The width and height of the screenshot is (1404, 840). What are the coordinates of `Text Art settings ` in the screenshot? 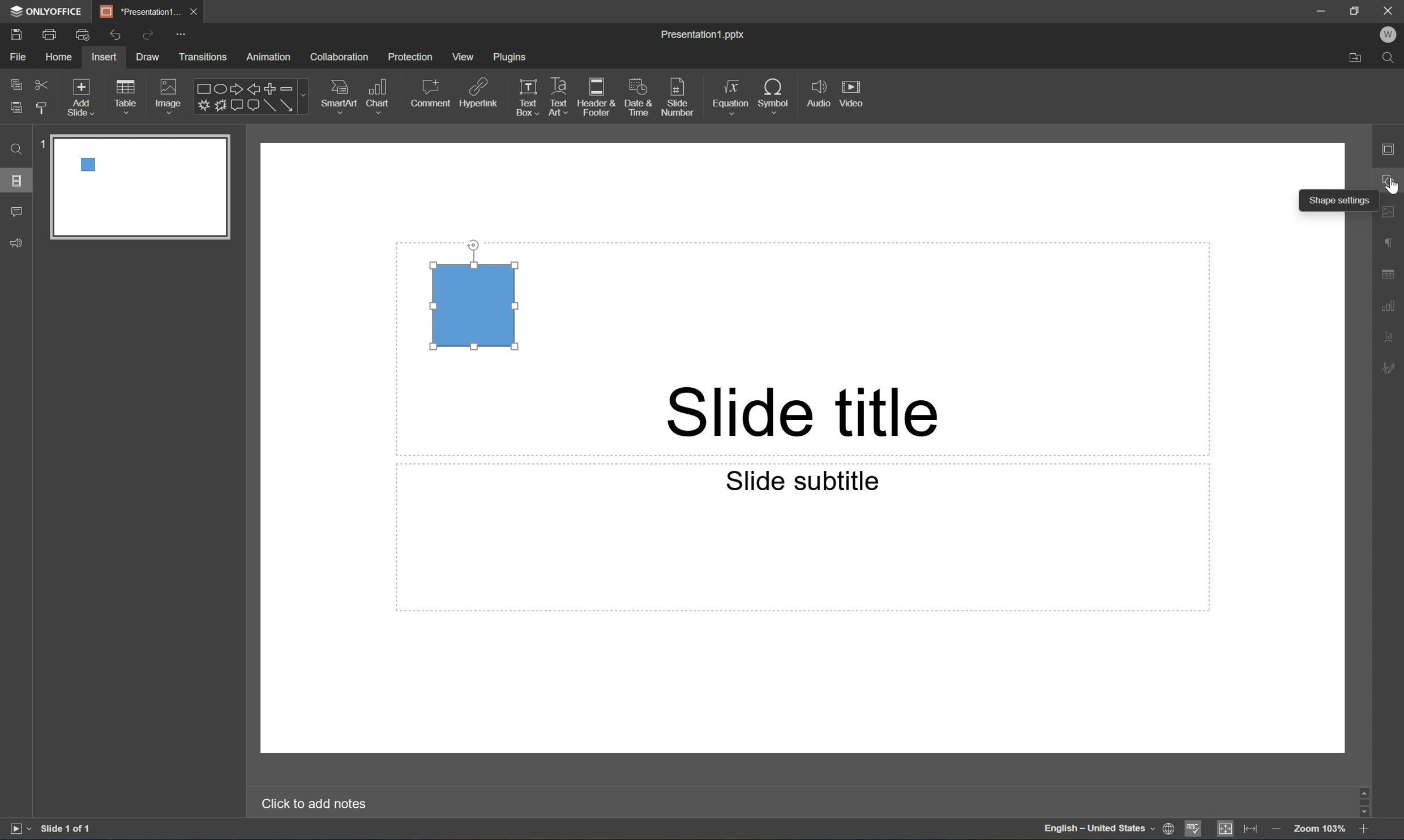 It's located at (1392, 335).